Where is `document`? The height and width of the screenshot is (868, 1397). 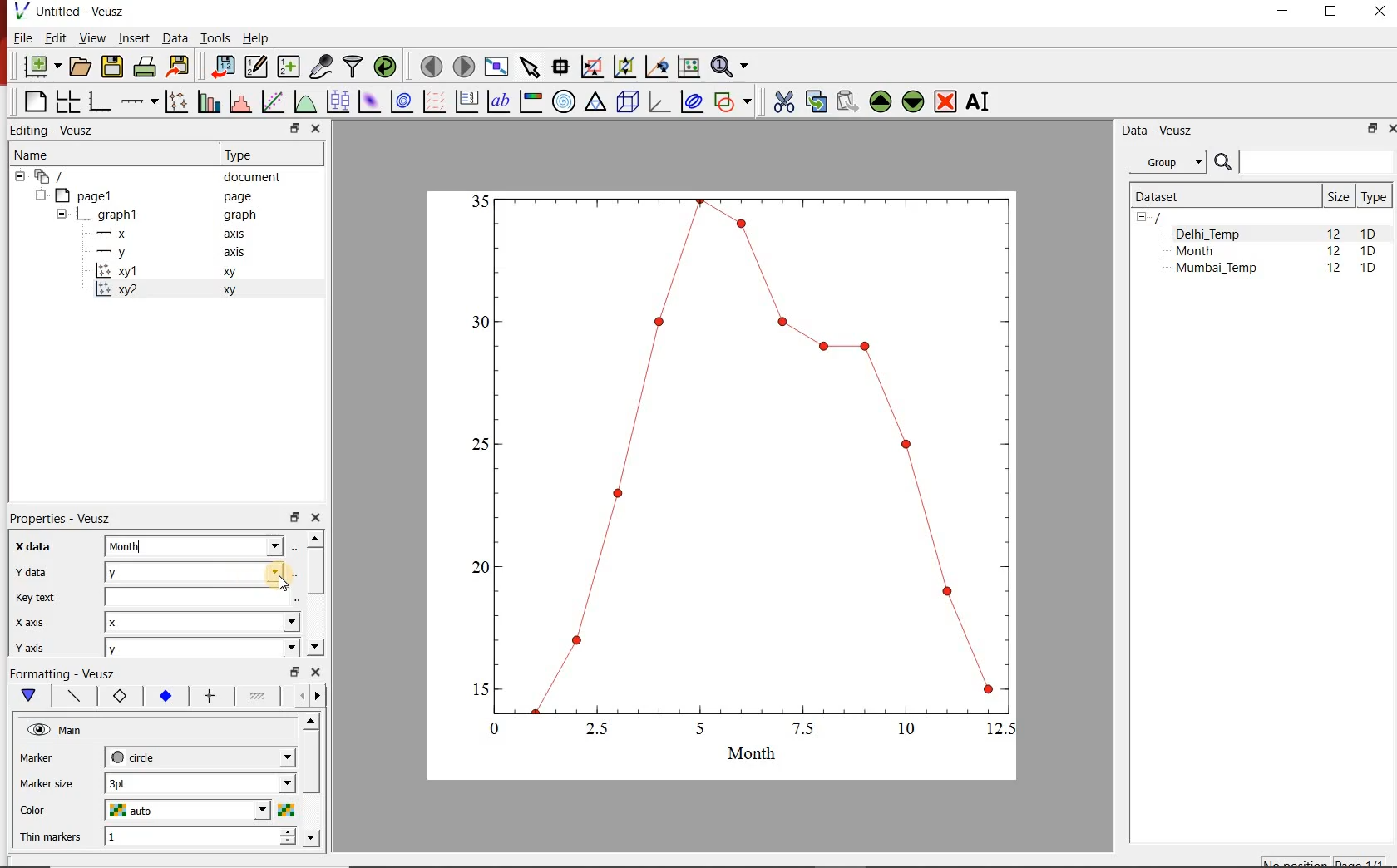 document is located at coordinates (151, 175).